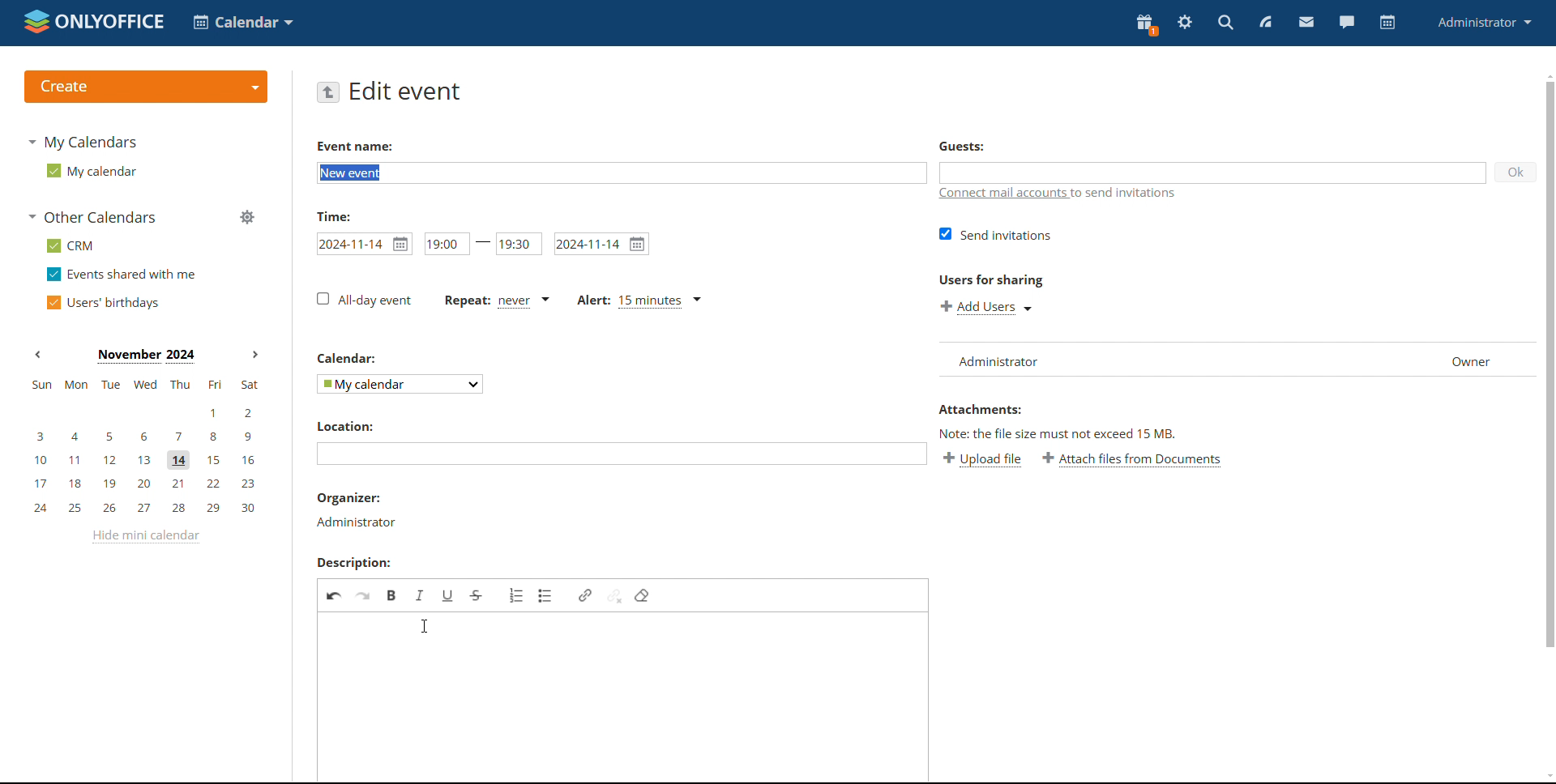 The width and height of the screenshot is (1556, 784). I want to click on logo, so click(144, 86).